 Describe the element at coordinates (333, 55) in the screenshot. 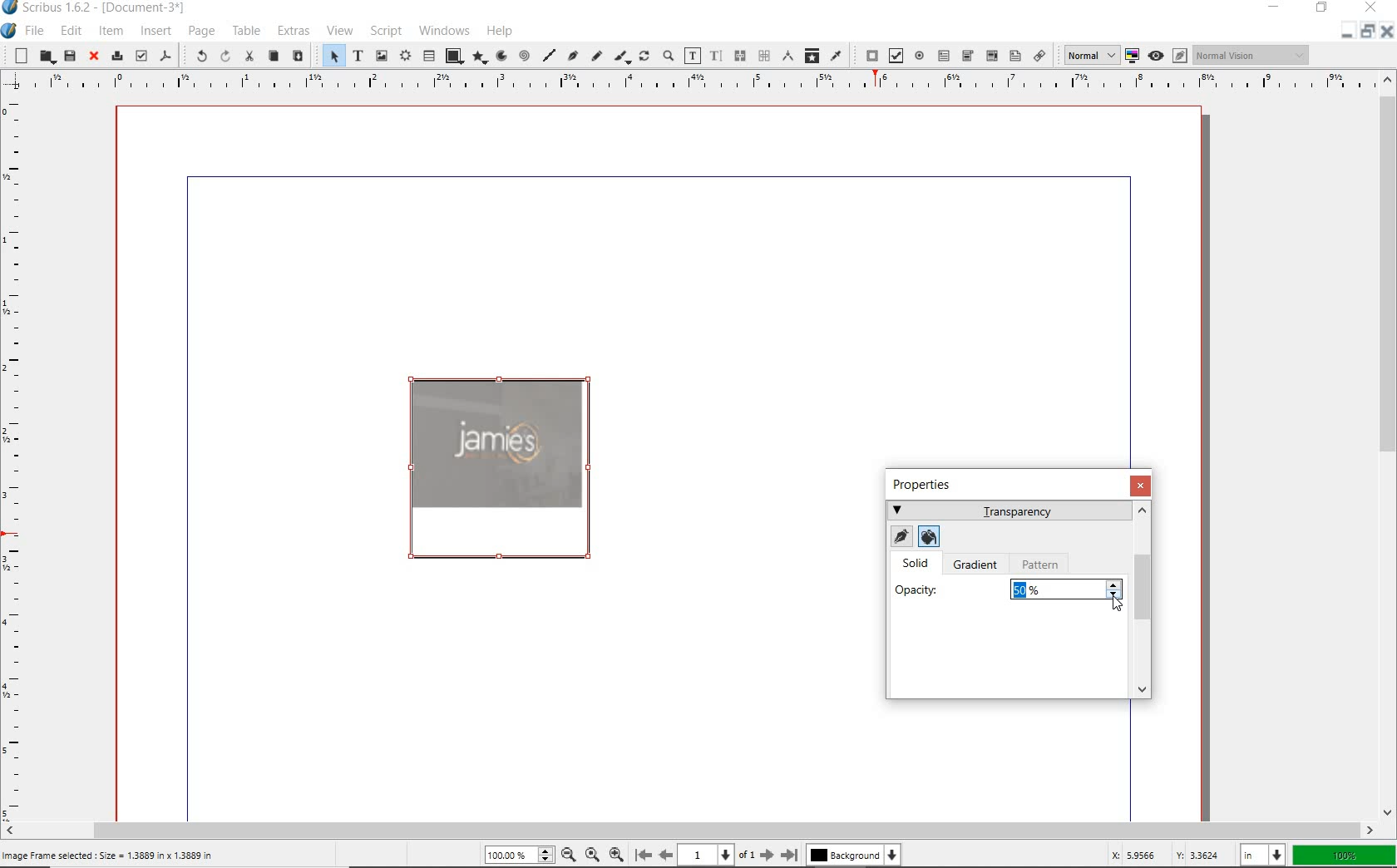

I see `SELECT` at that location.